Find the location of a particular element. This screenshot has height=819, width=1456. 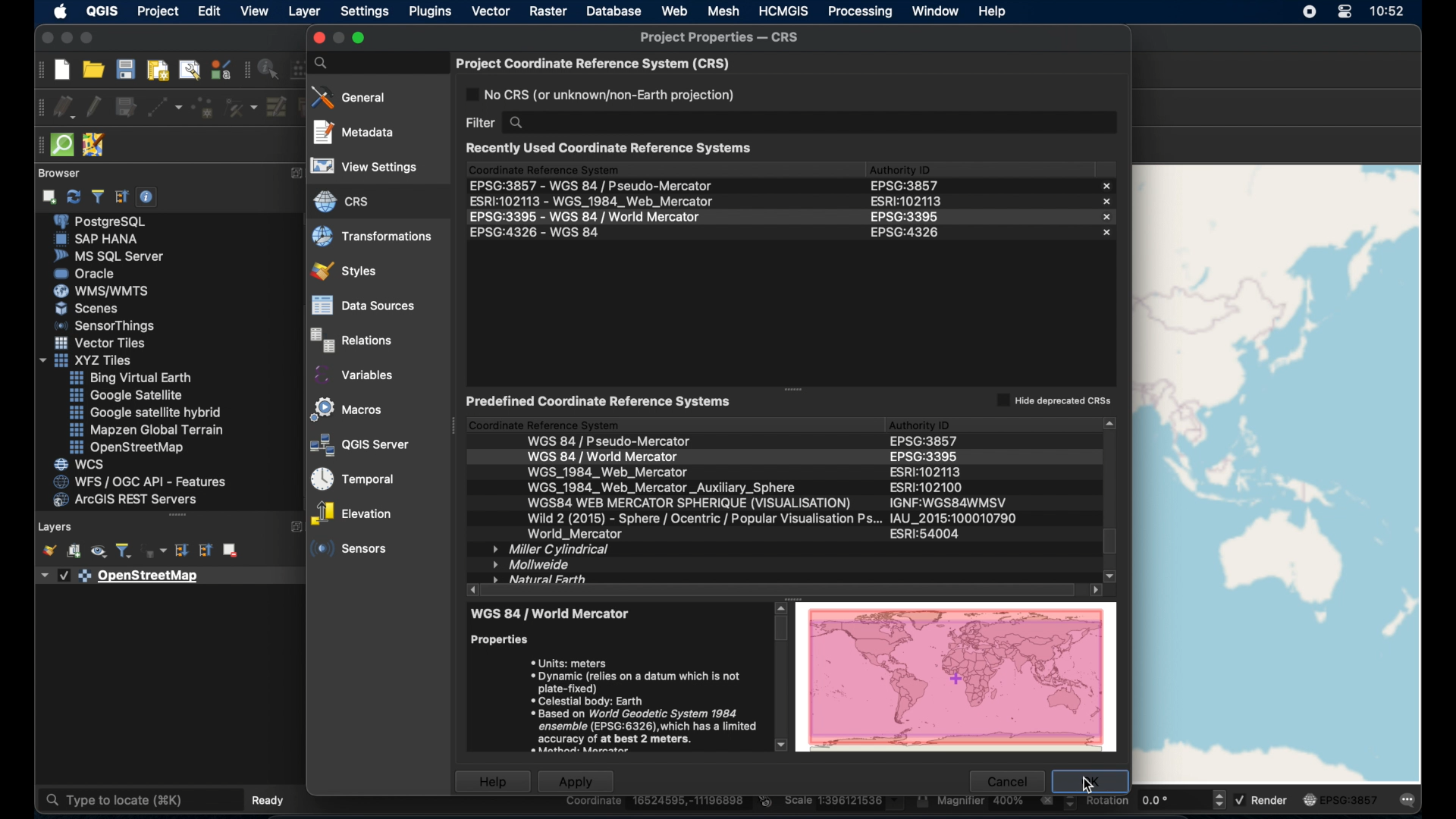

open project is located at coordinates (92, 71).